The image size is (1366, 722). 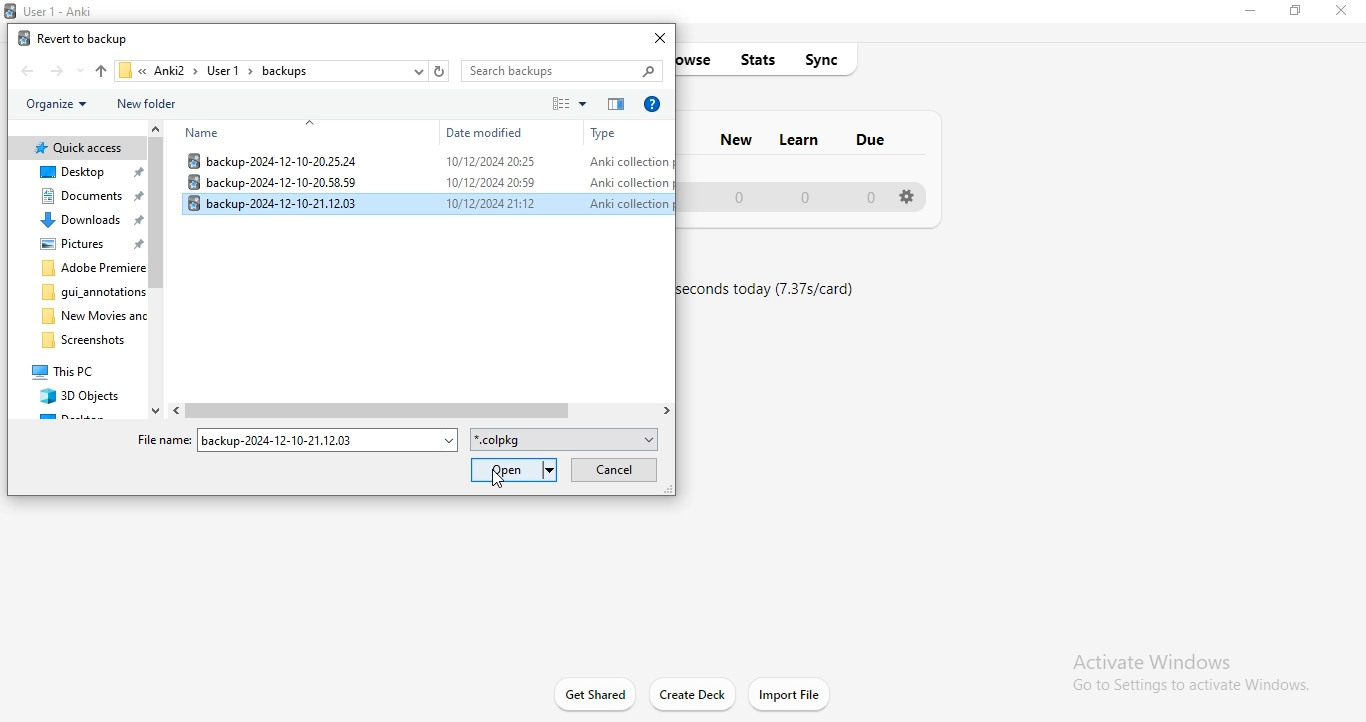 What do you see at coordinates (566, 441) in the screenshot?
I see `file format` at bounding box center [566, 441].